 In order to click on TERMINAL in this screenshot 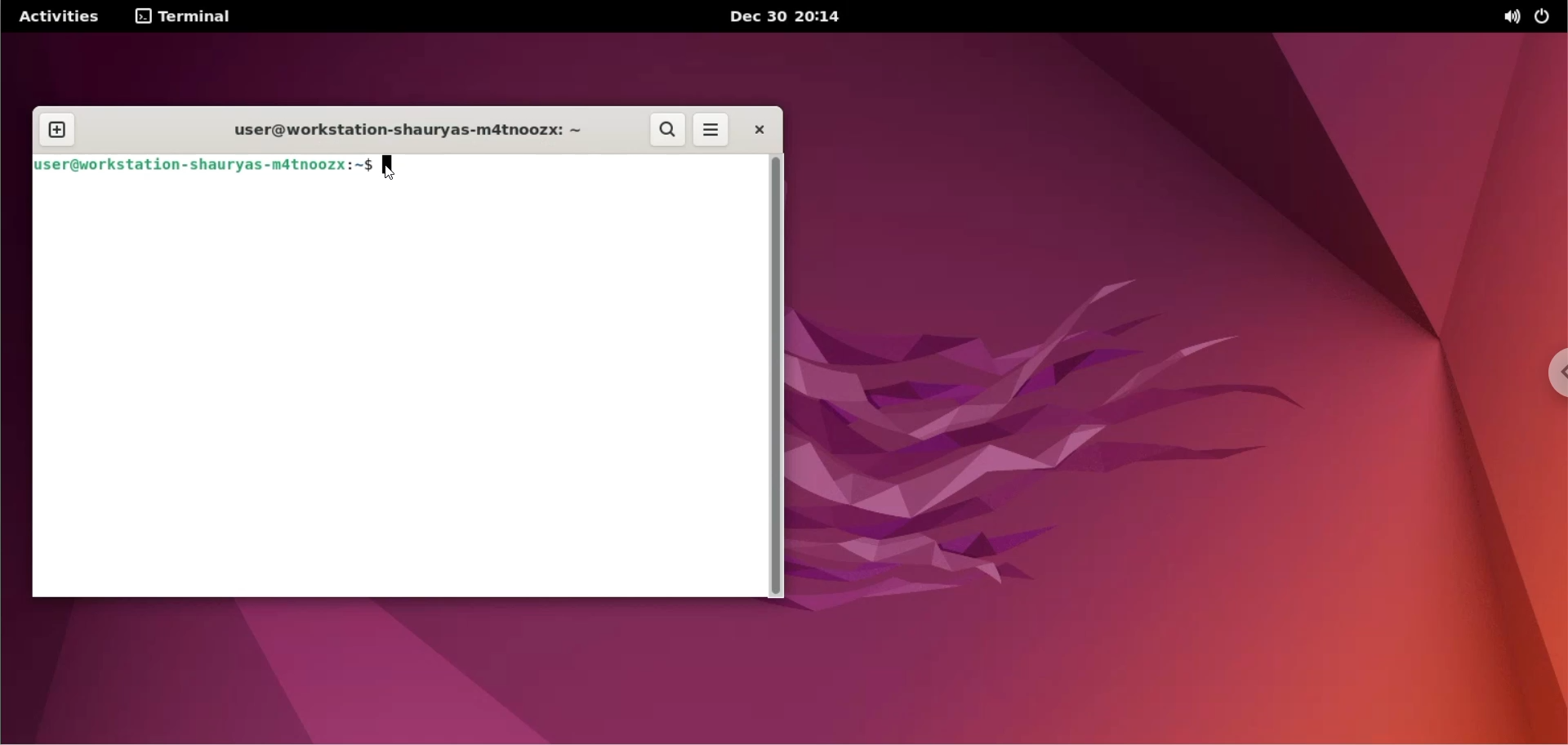, I will do `click(185, 16)`.